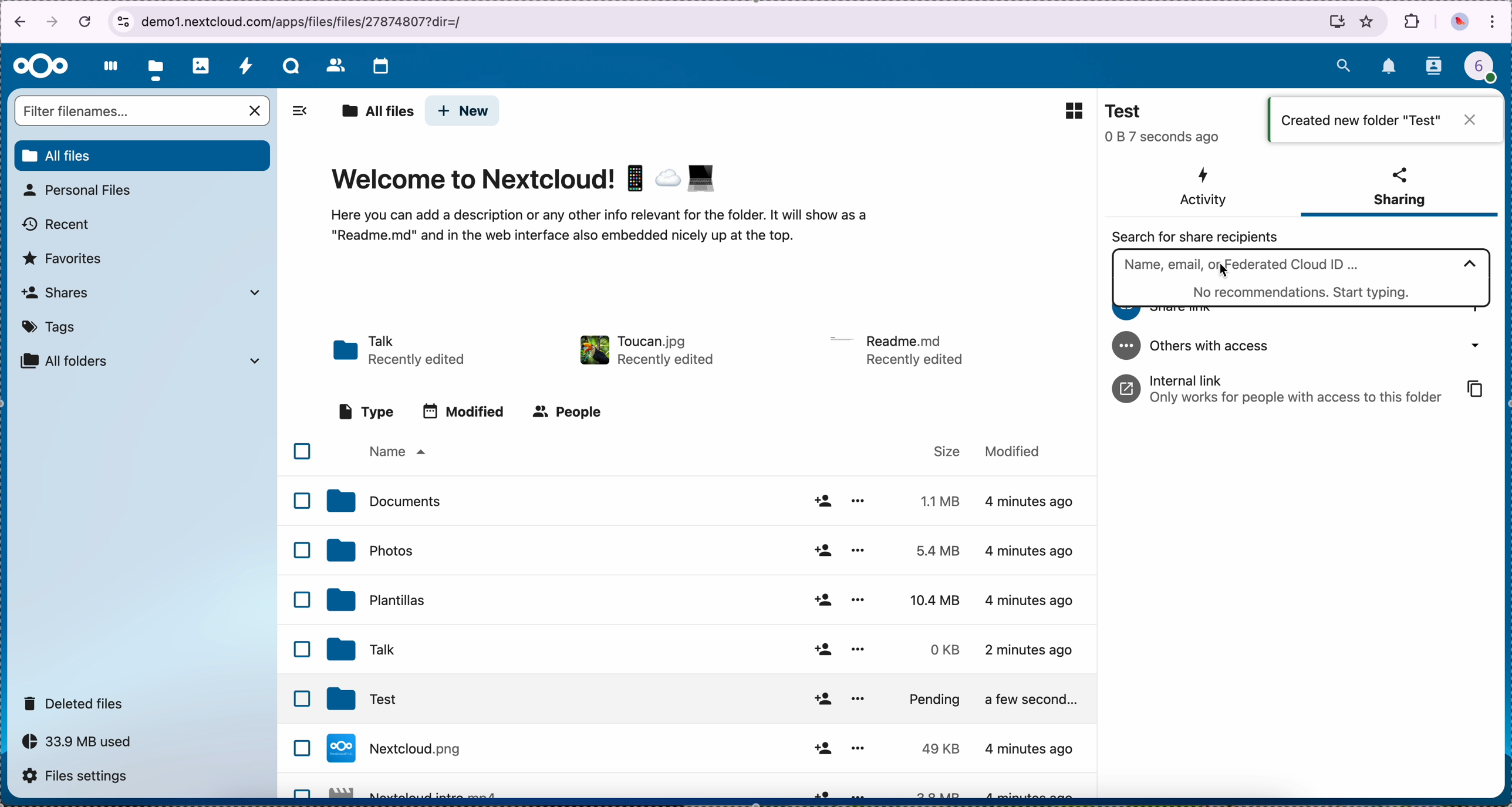 This screenshot has width=1512, height=807. Describe the element at coordinates (707, 503) in the screenshot. I see `documents` at that location.